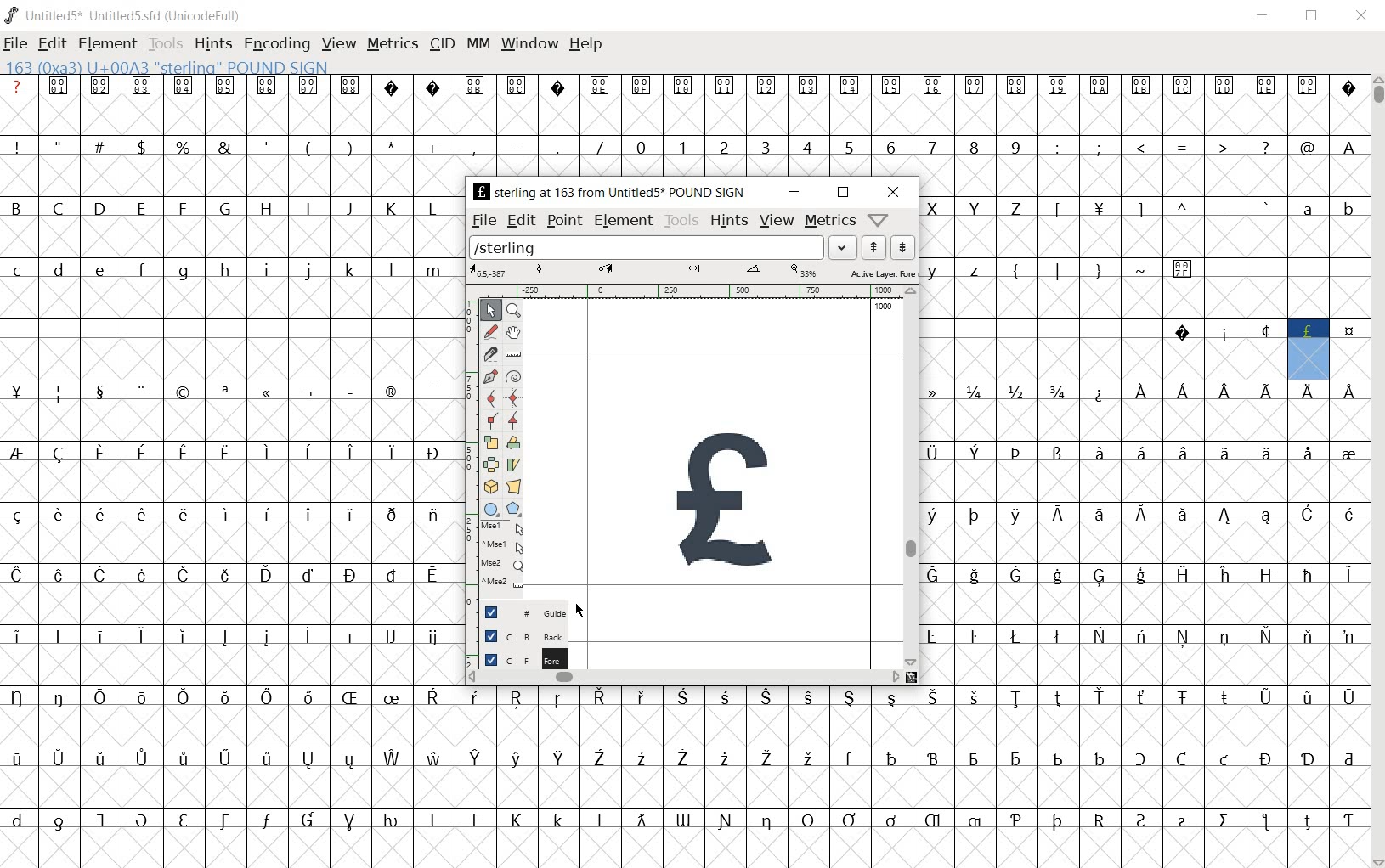 This screenshot has height=868, width=1385. Describe the element at coordinates (1266, 575) in the screenshot. I see `Symbol` at that location.